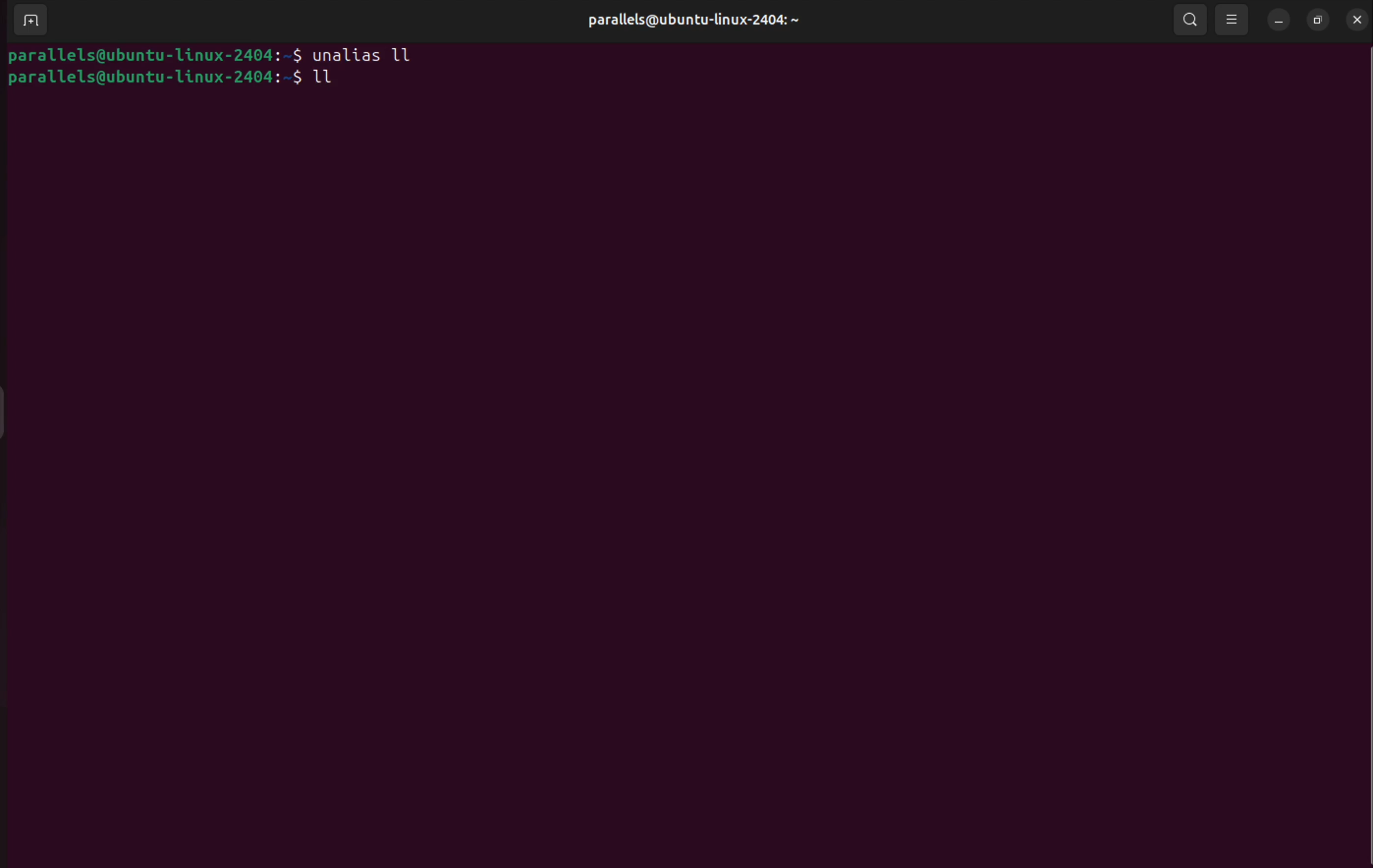 The height and width of the screenshot is (868, 1373). What do you see at coordinates (1354, 18) in the screenshot?
I see `close` at bounding box center [1354, 18].